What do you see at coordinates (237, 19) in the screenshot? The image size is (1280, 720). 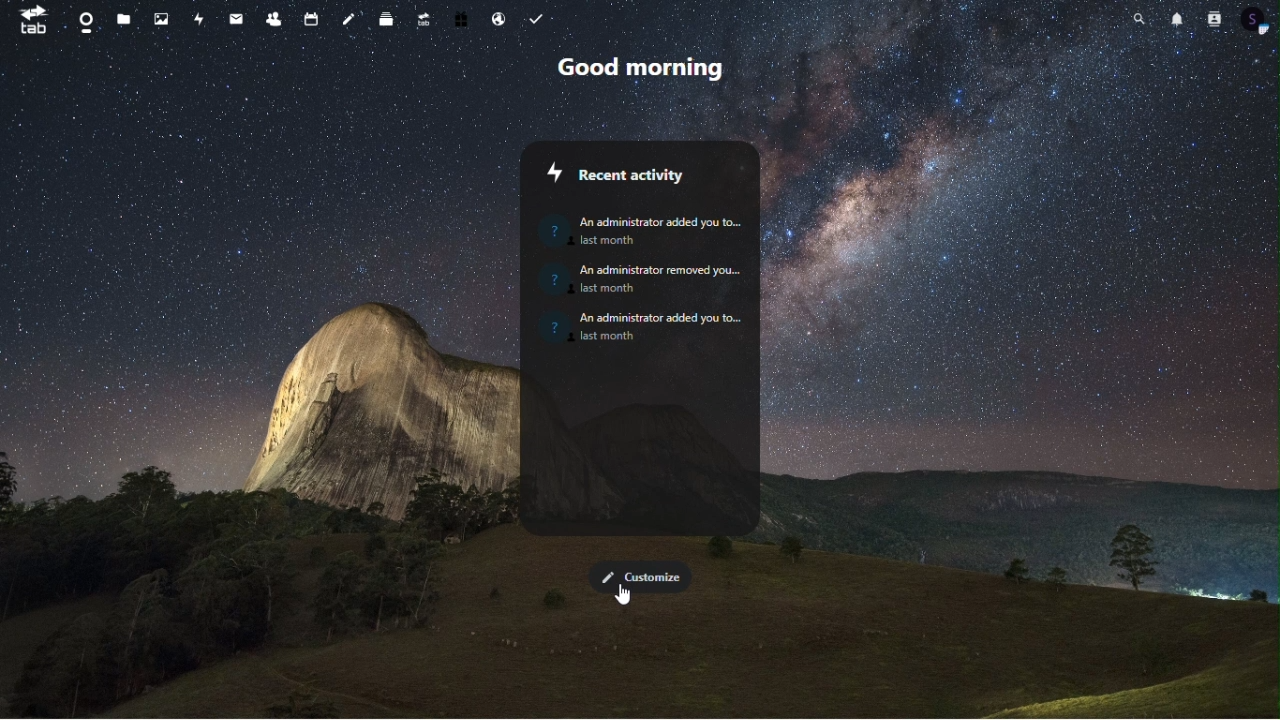 I see `mail` at bounding box center [237, 19].